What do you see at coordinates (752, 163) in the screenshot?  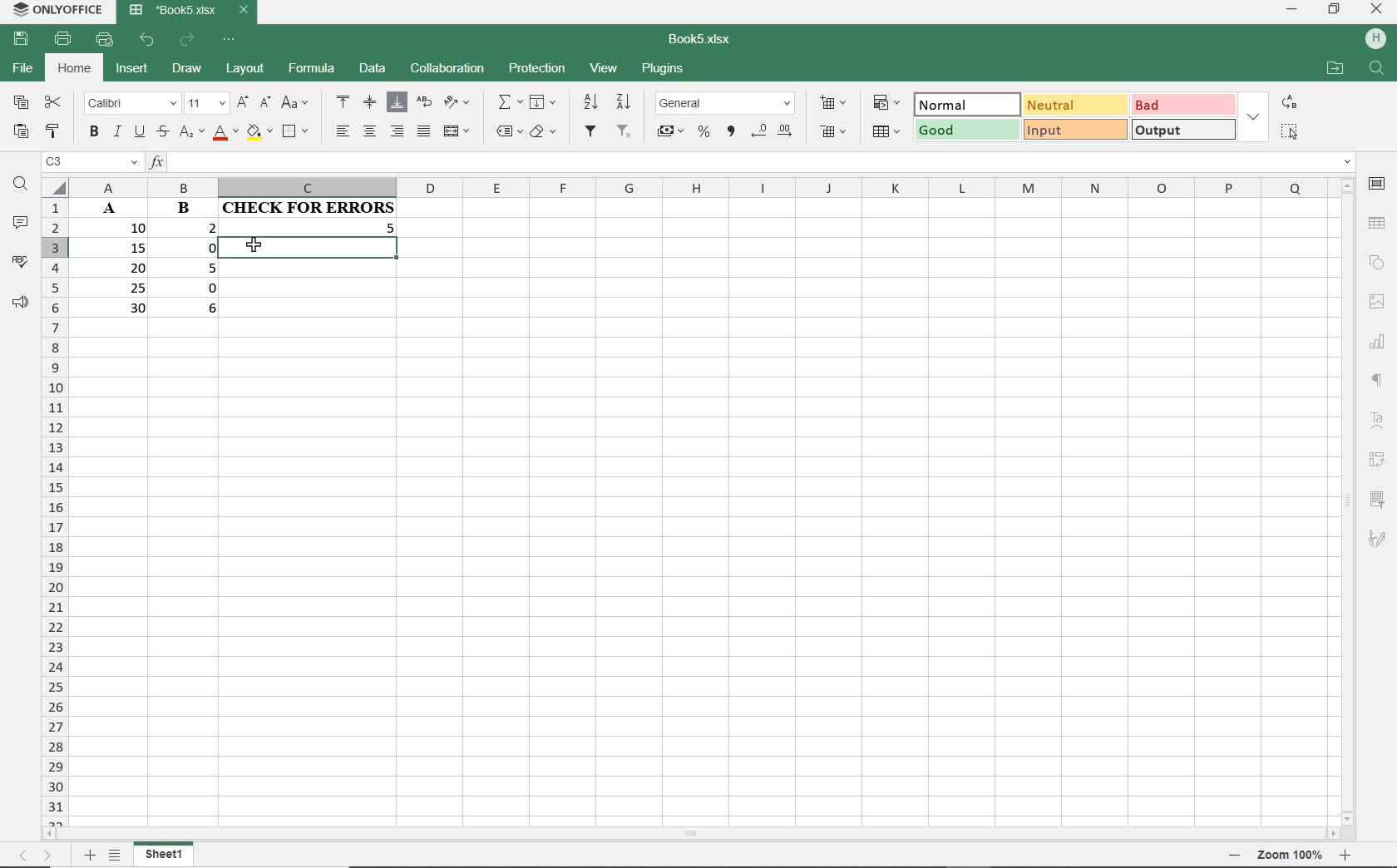 I see `INPUT FUNCTION` at bounding box center [752, 163].